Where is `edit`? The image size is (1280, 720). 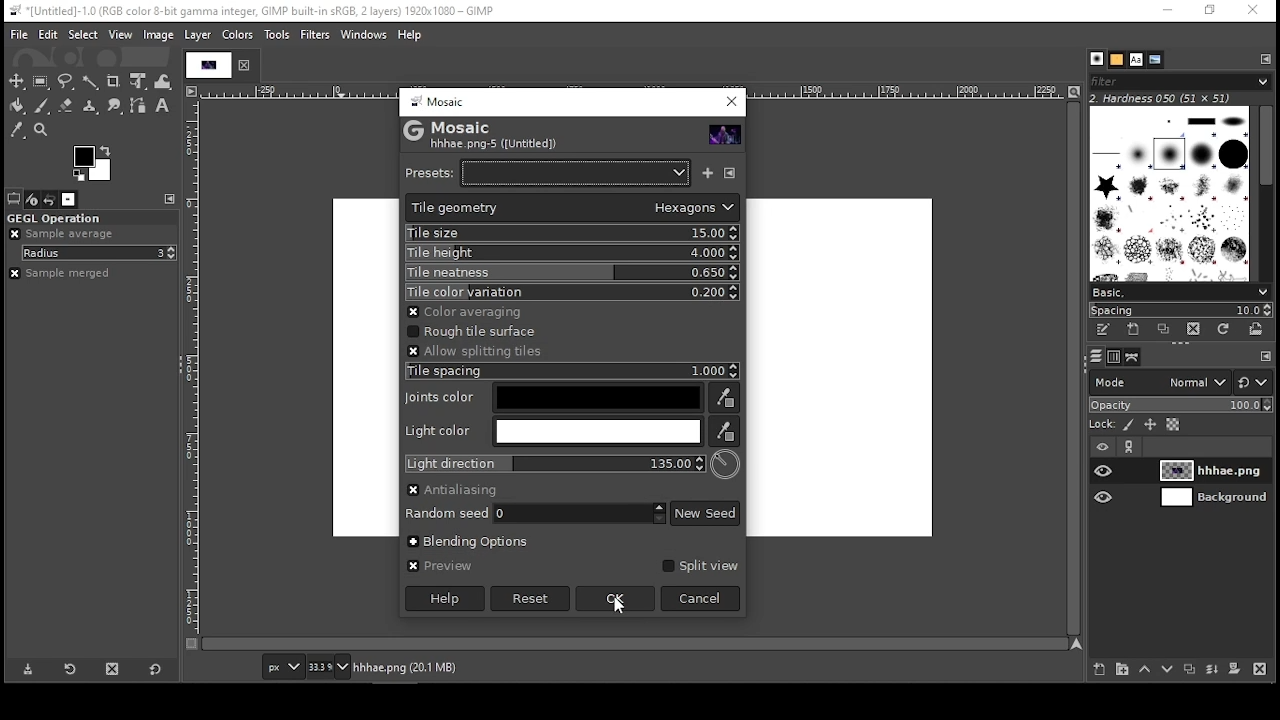 edit is located at coordinates (48, 34).